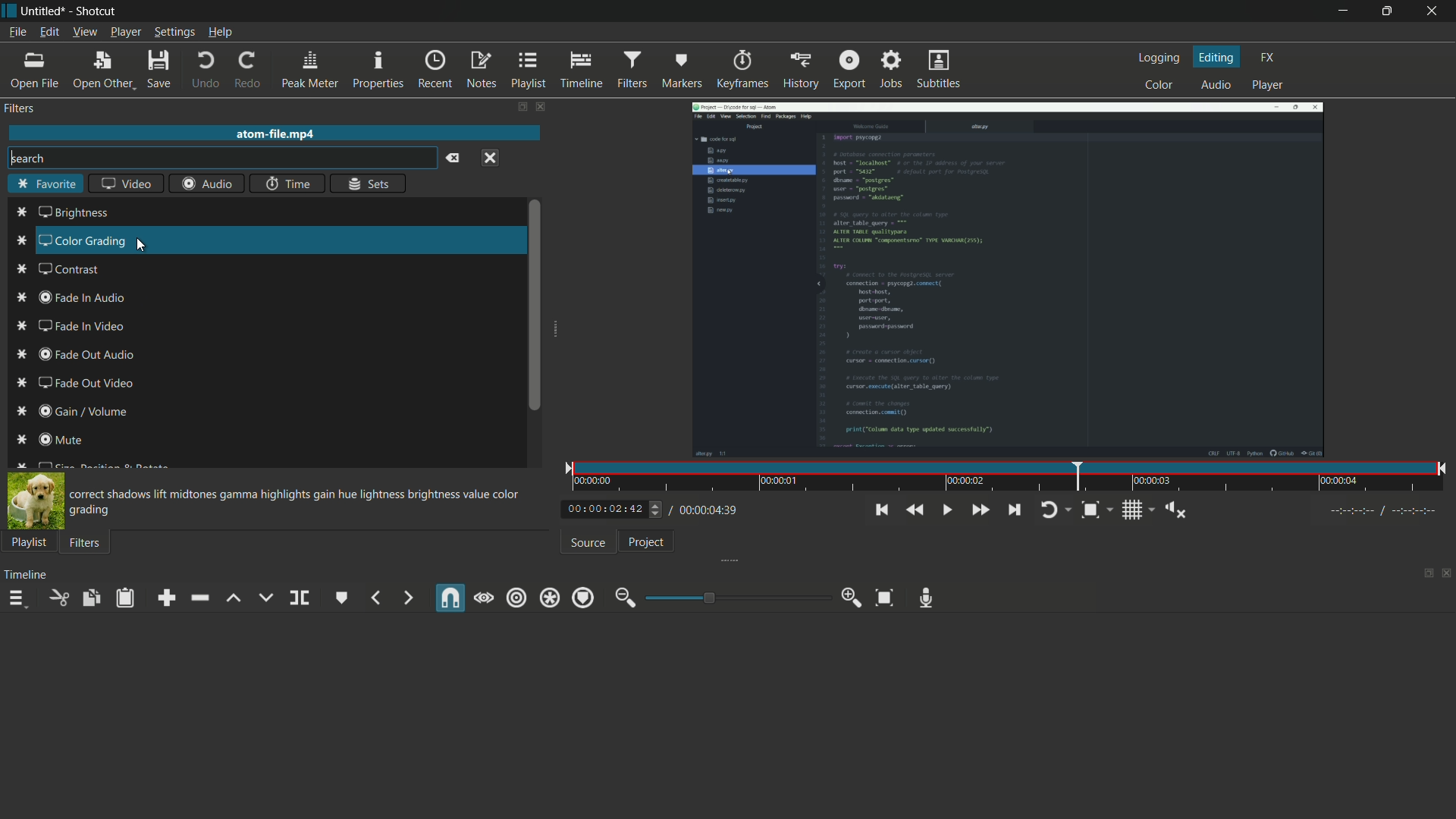 The height and width of the screenshot is (819, 1456). What do you see at coordinates (912, 510) in the screenshot?
I see `quickly play backward` at bounding box center [912, 510].